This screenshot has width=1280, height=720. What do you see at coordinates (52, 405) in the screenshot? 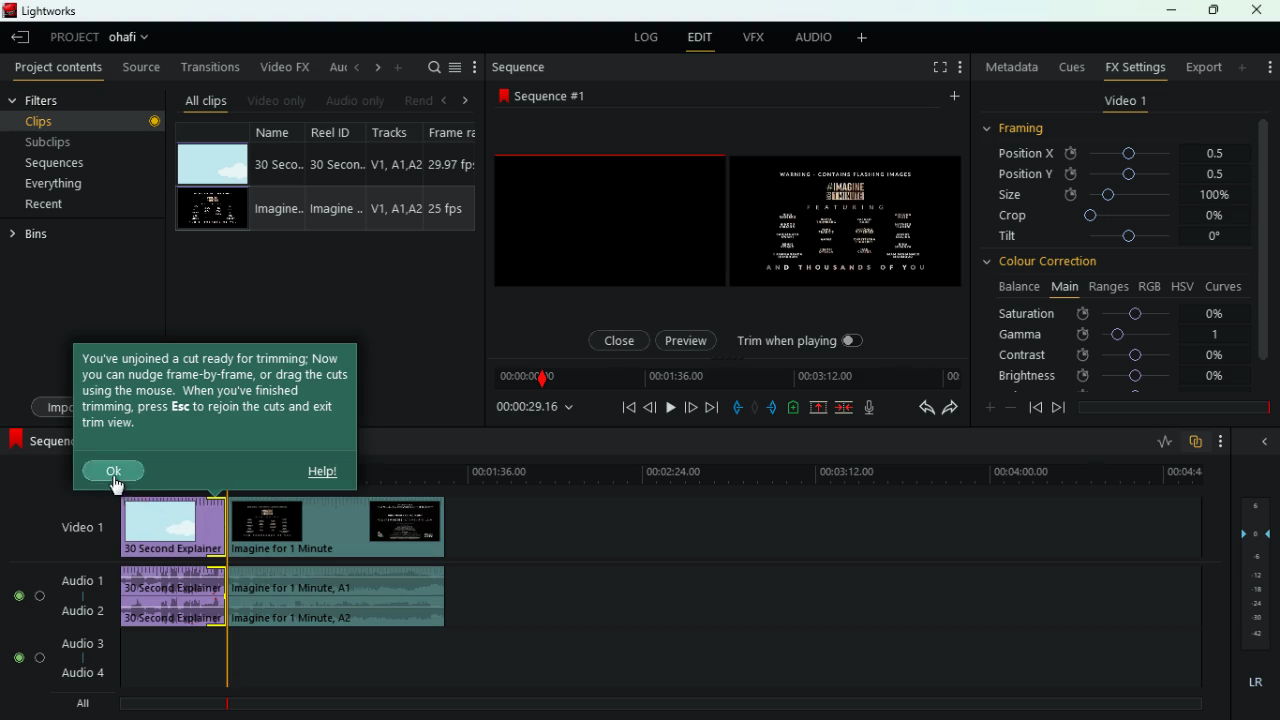
I see `import clips` at bounding box center [52, 405].